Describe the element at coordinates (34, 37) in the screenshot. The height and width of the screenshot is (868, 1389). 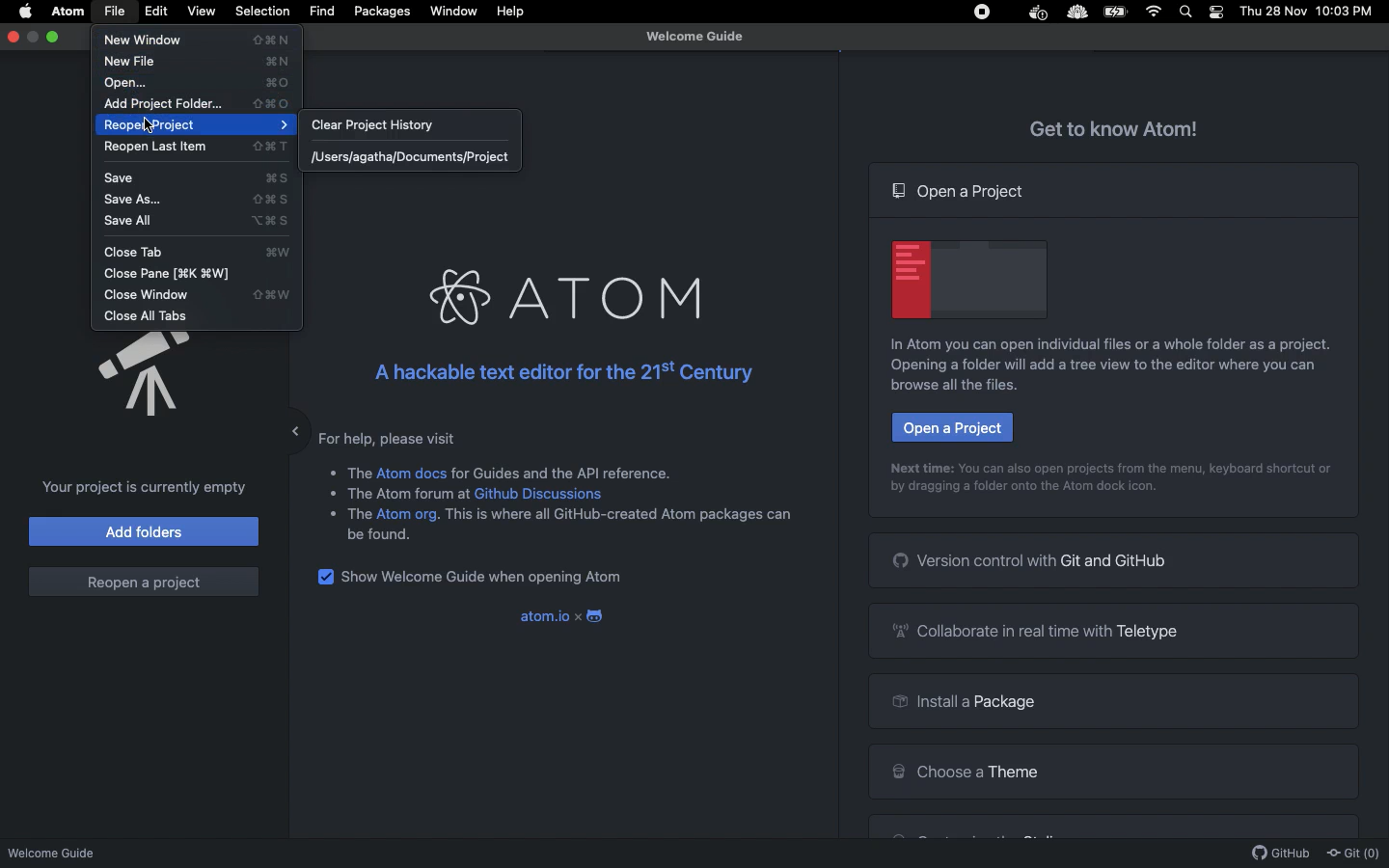
I see `minimize` at that location.